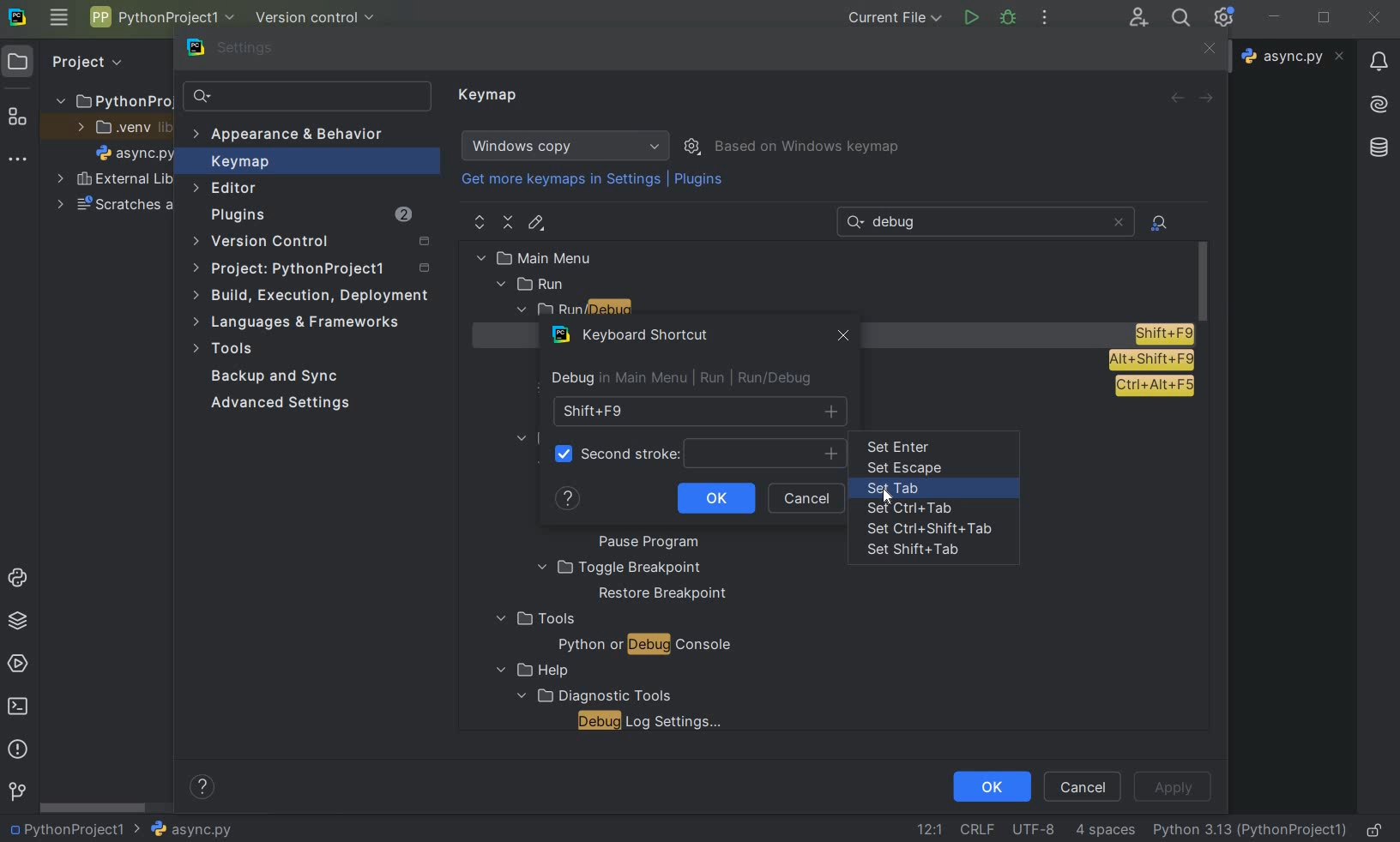  I want to click on ide and project settings, so click(1225, 17).